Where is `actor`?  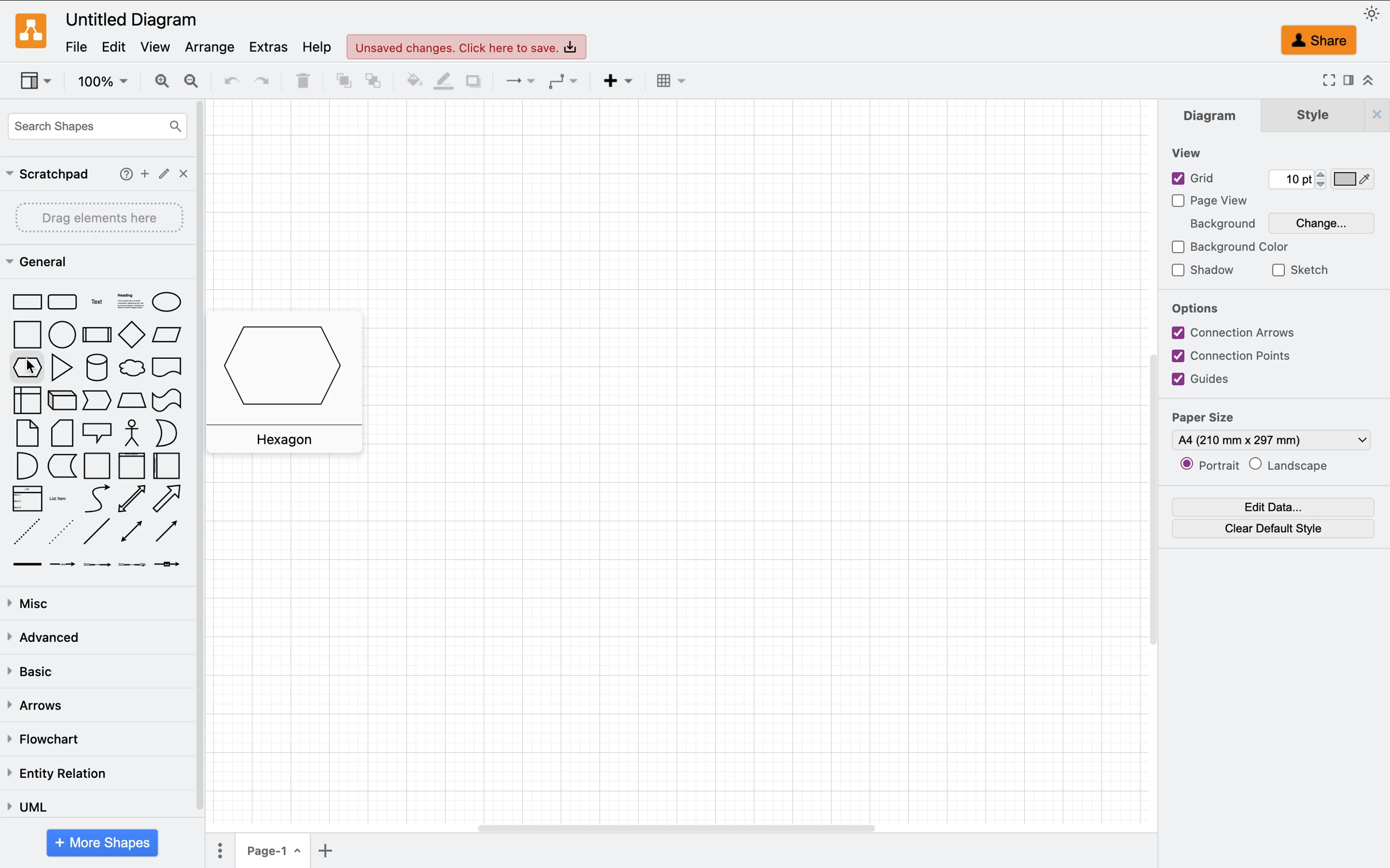
actor is located at coordinates (134, 433).